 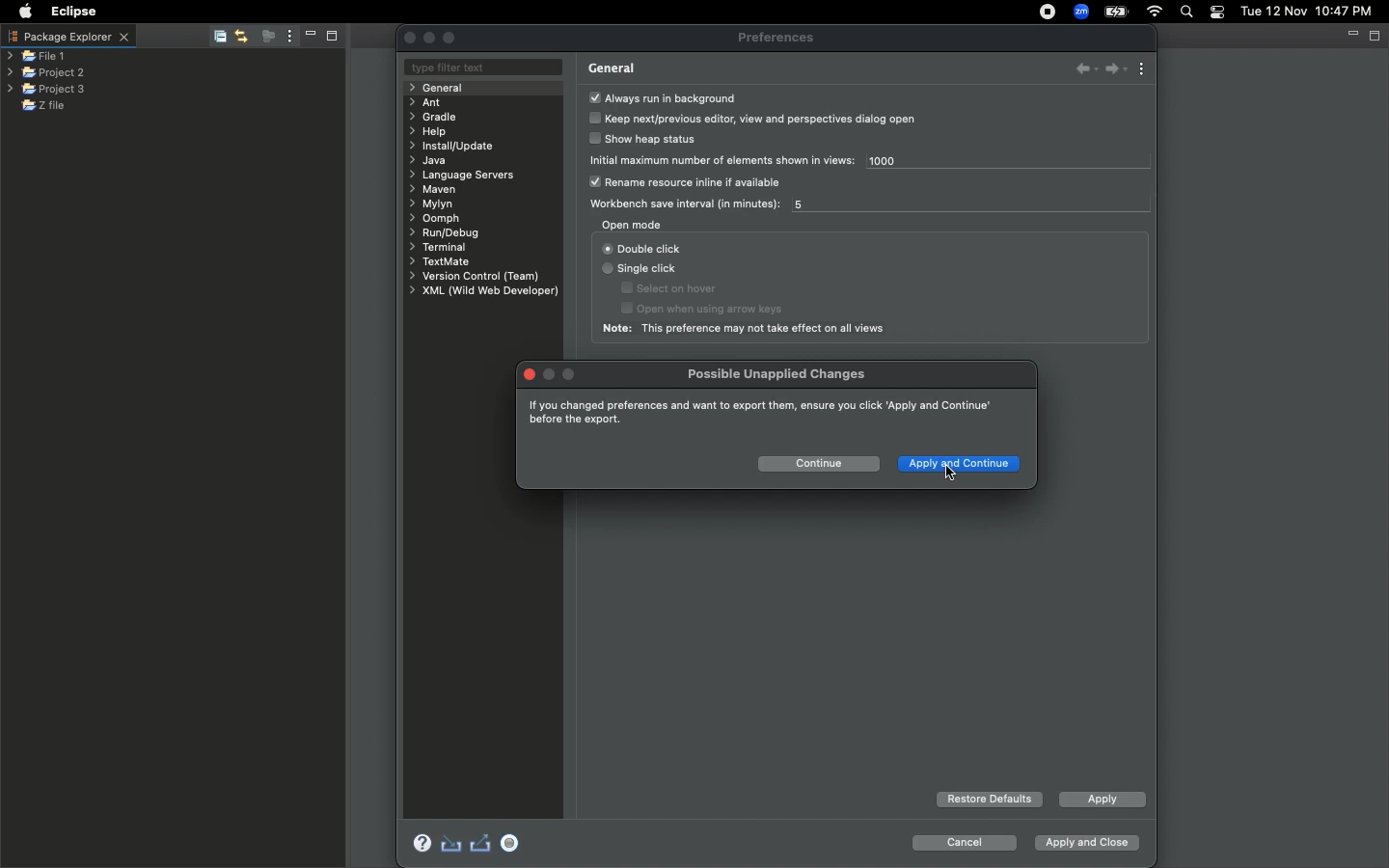 What do you see at coordinates (242, 35) in the screenshot?
I see `Link with editor` at bounding box center [242, 35].